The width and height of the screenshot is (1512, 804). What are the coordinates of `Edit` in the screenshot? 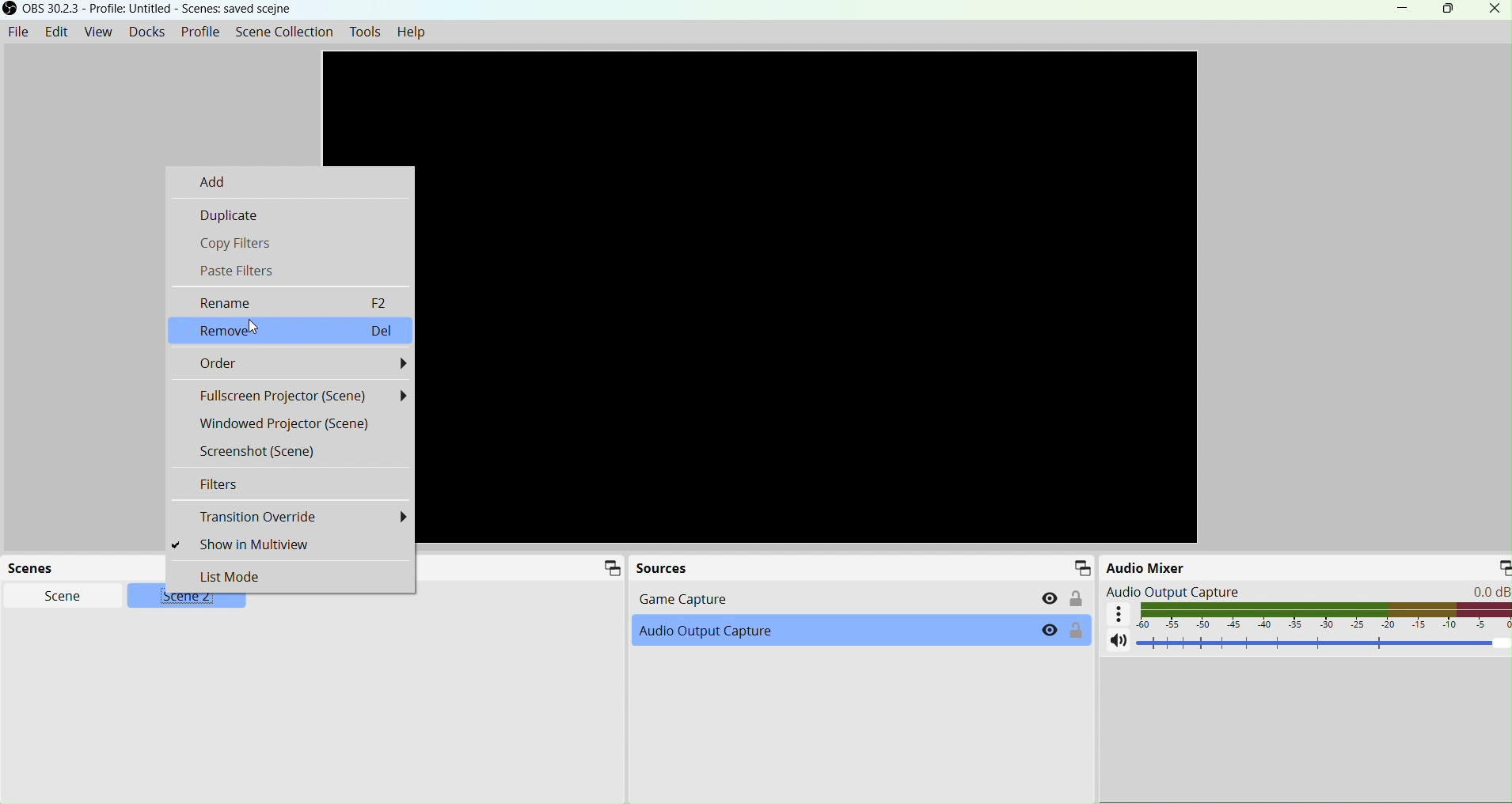 It's located at (56, 31).